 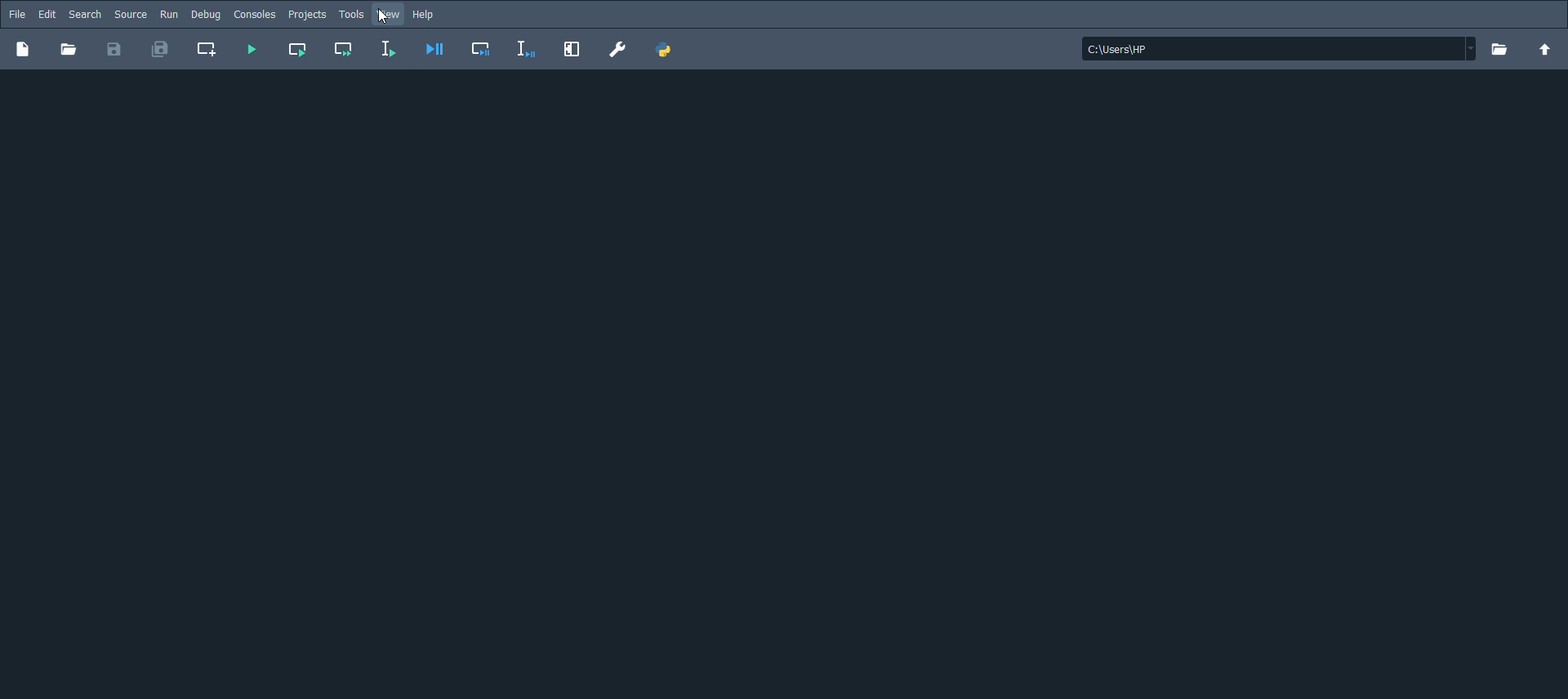 What do you see at coordinates (16, 13) in the screenshot?
I see `File` at bounding box center [16, 13].